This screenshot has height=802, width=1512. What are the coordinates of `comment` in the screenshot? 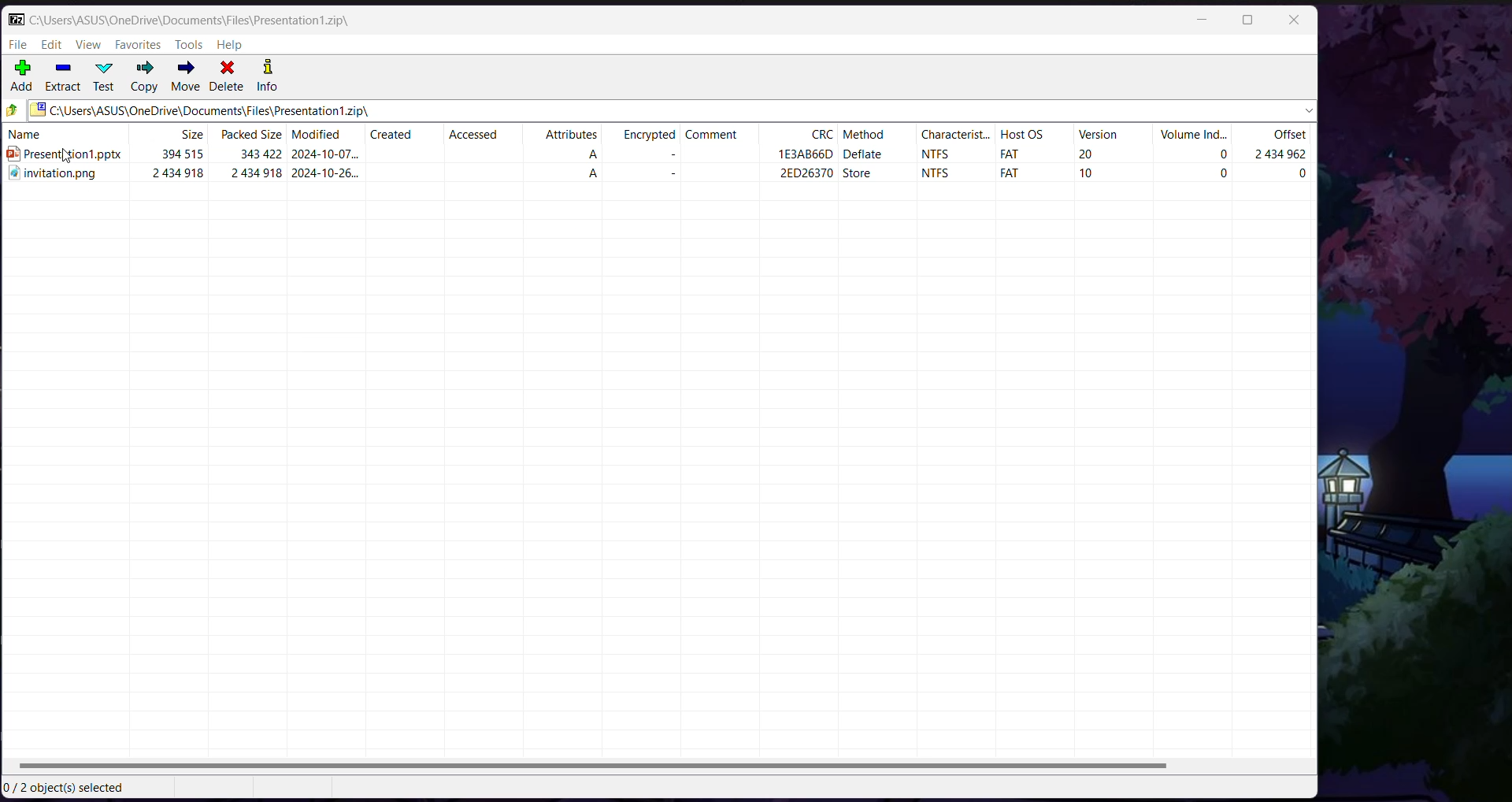 It's located at (715, 137).